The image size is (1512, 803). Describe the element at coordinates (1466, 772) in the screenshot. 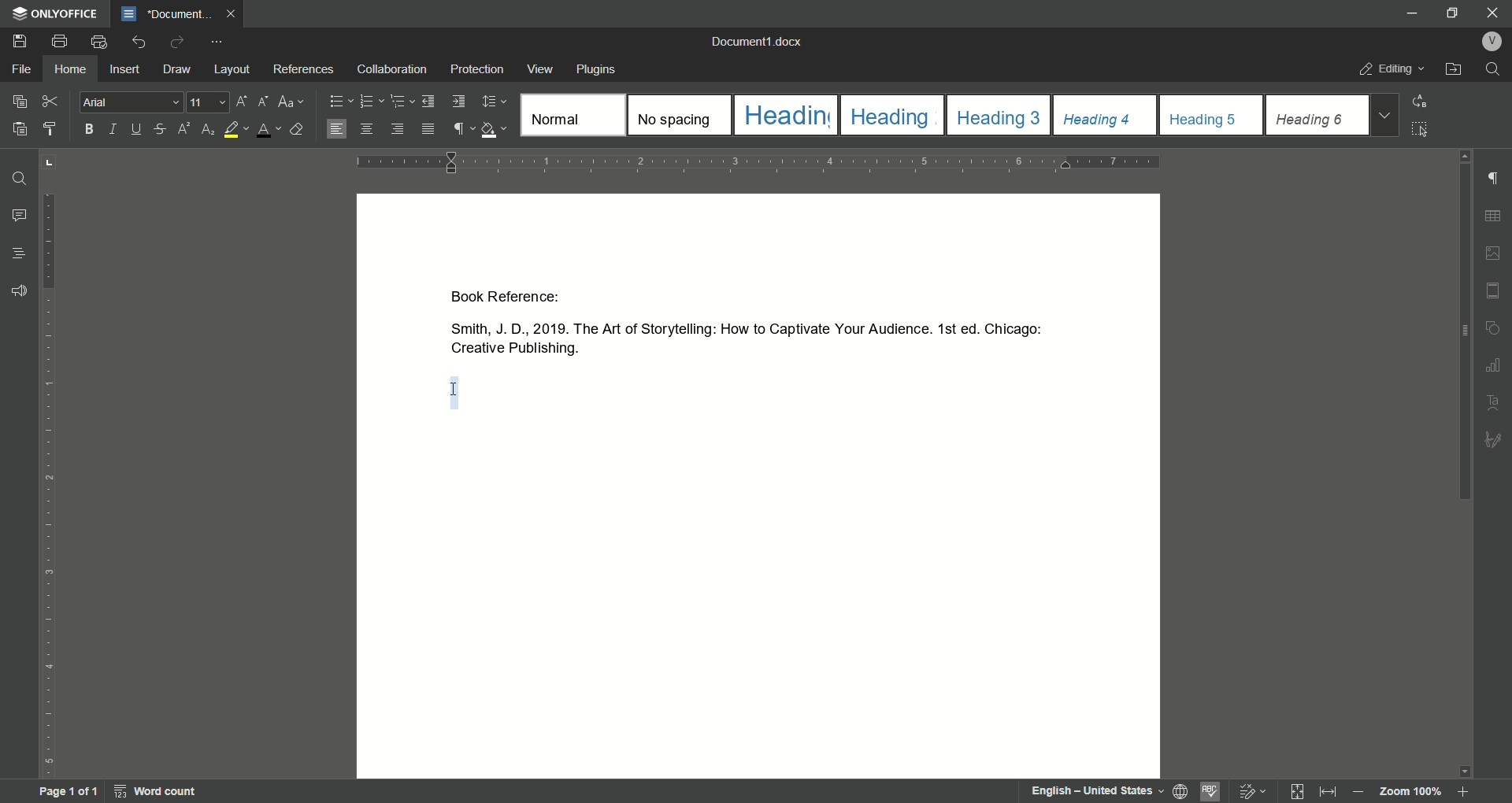

I see `roll down` at that location.